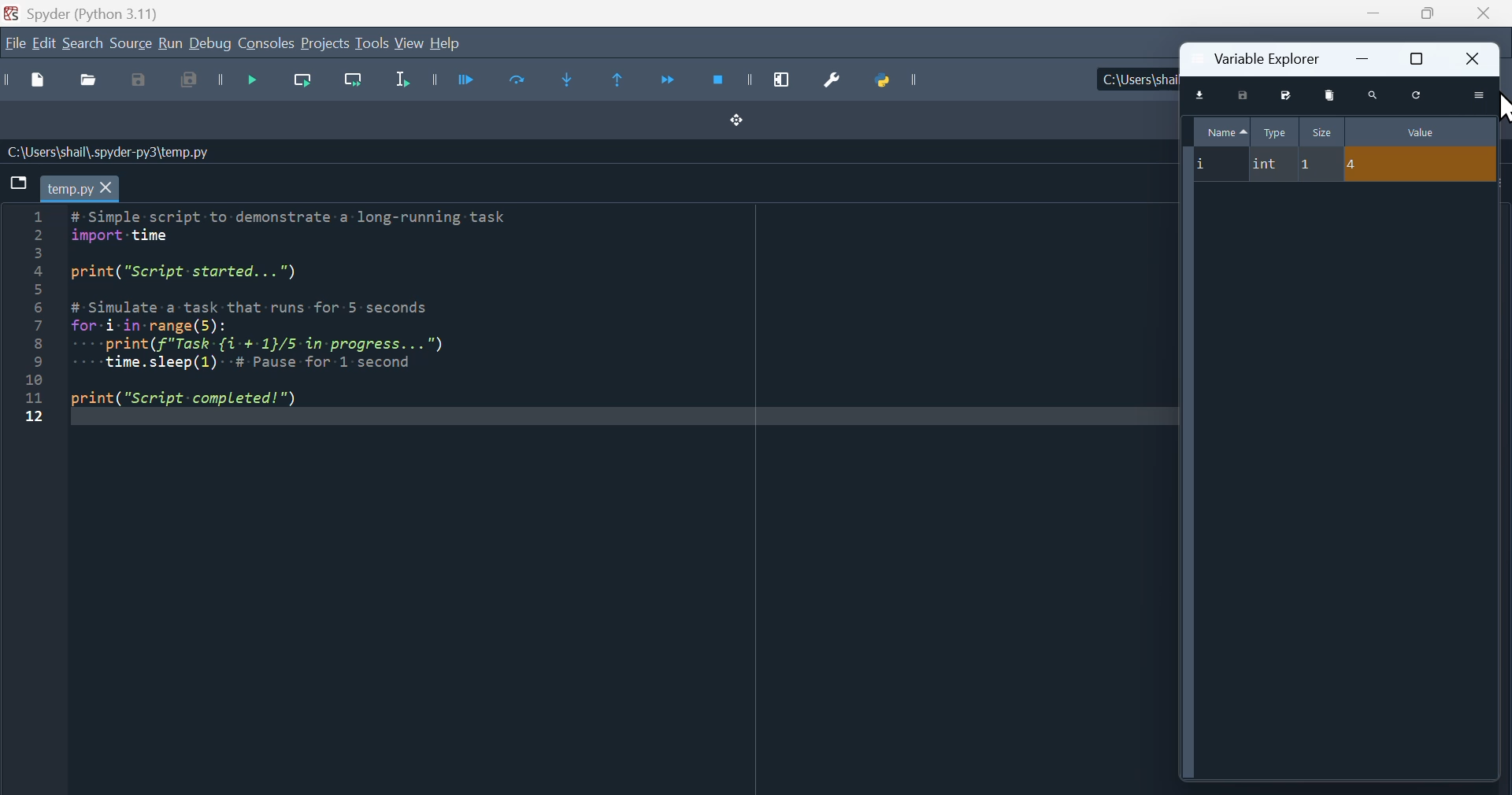 The height and width of the screenshot is (795, 1512). Describe the element at coordinates (1332, 94) in the screenshot. I see `remove all variables` at that location.